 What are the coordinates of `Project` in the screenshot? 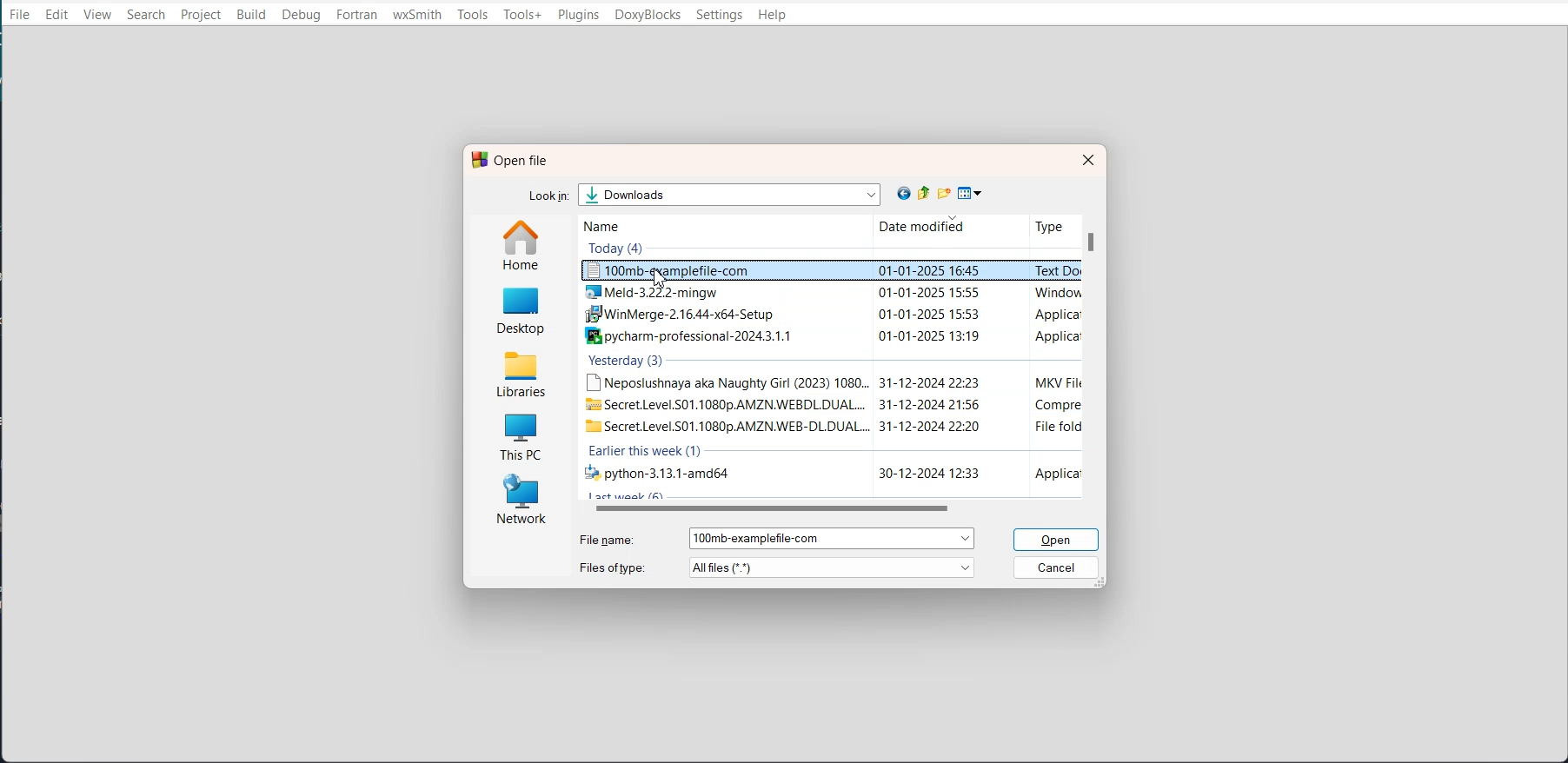 It's located at (200, 15).